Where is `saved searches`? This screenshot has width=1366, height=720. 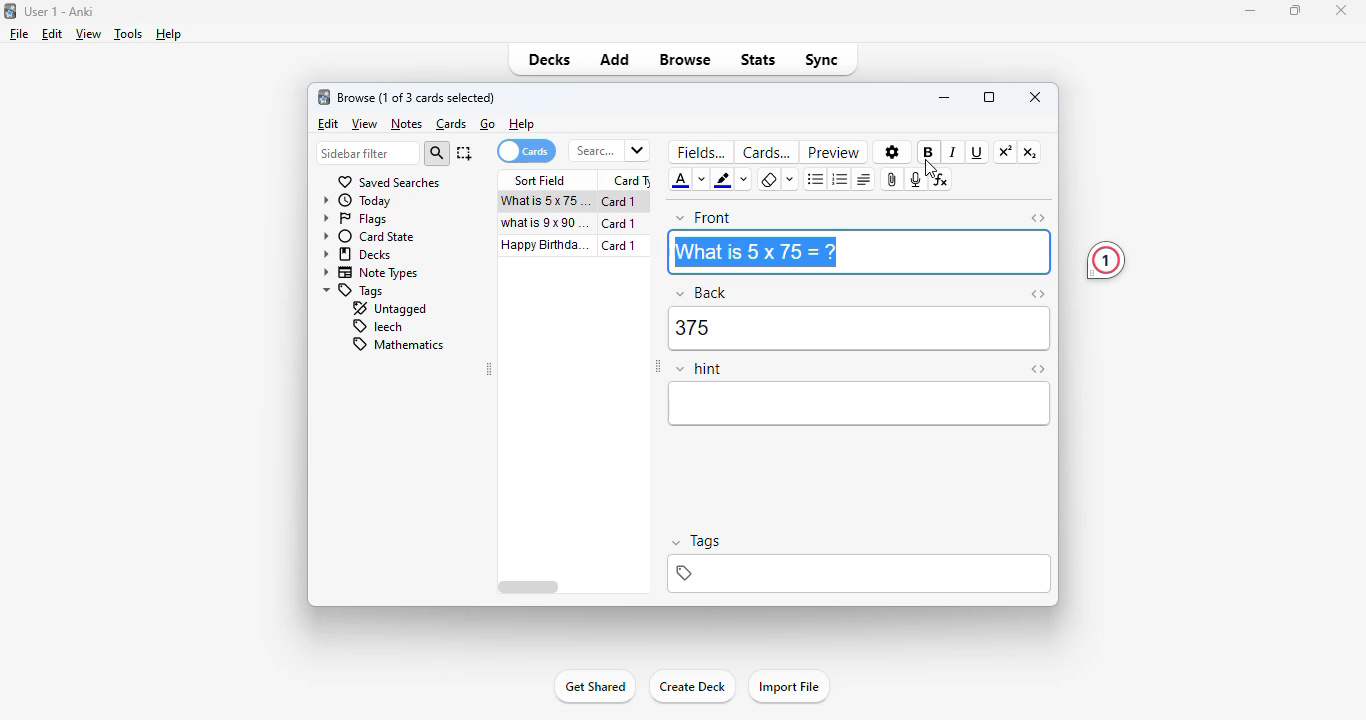
saved searches is located at coordinates (390, 182).